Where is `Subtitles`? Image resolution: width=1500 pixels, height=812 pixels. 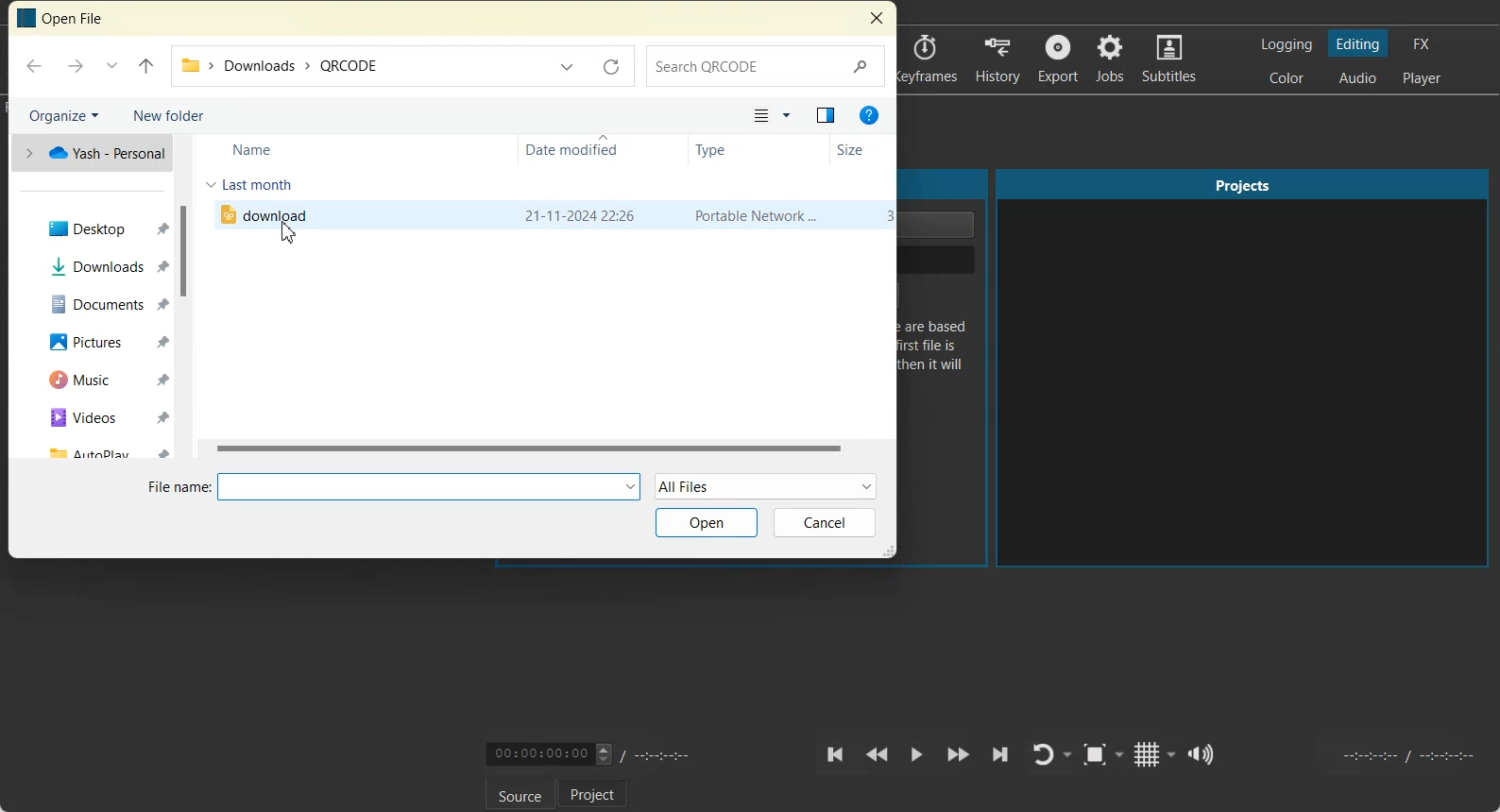 Subtitles is located at coordinates (1171, 59).